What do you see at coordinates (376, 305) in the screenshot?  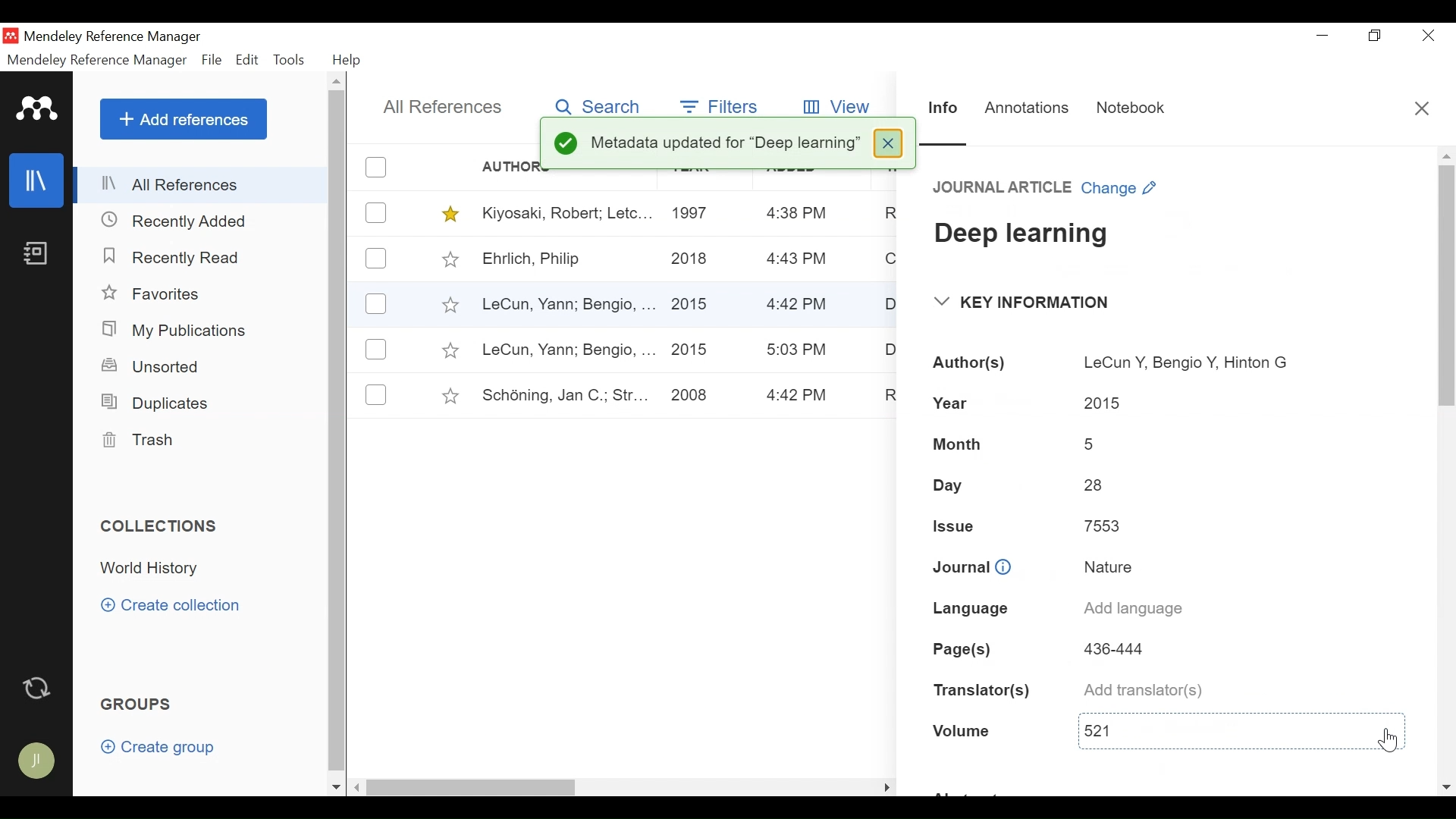 I see `(un)select` at bounding box center [376, 305].